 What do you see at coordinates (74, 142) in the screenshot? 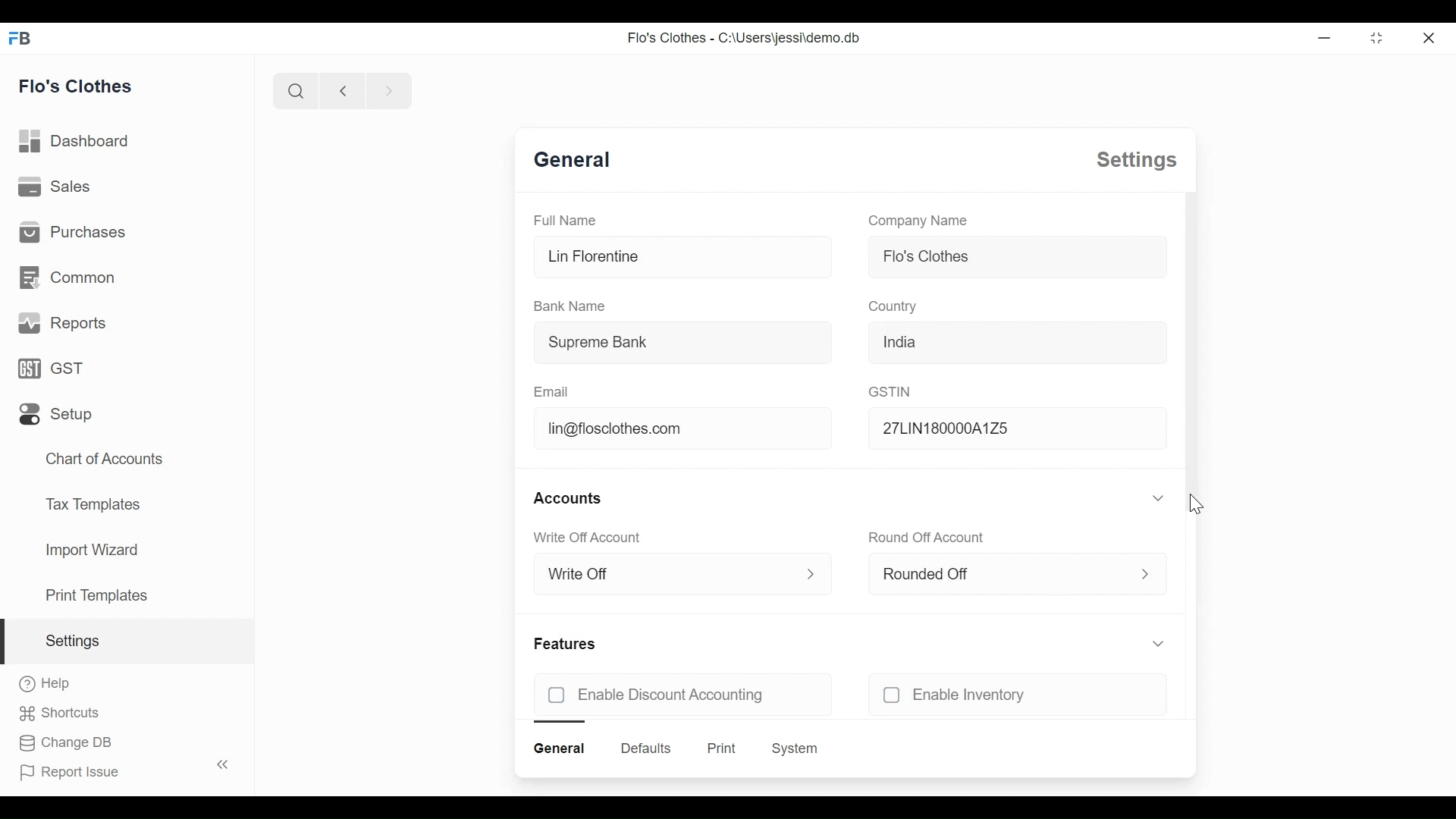
I see `Dashboard` at bounding box center [74, 142].